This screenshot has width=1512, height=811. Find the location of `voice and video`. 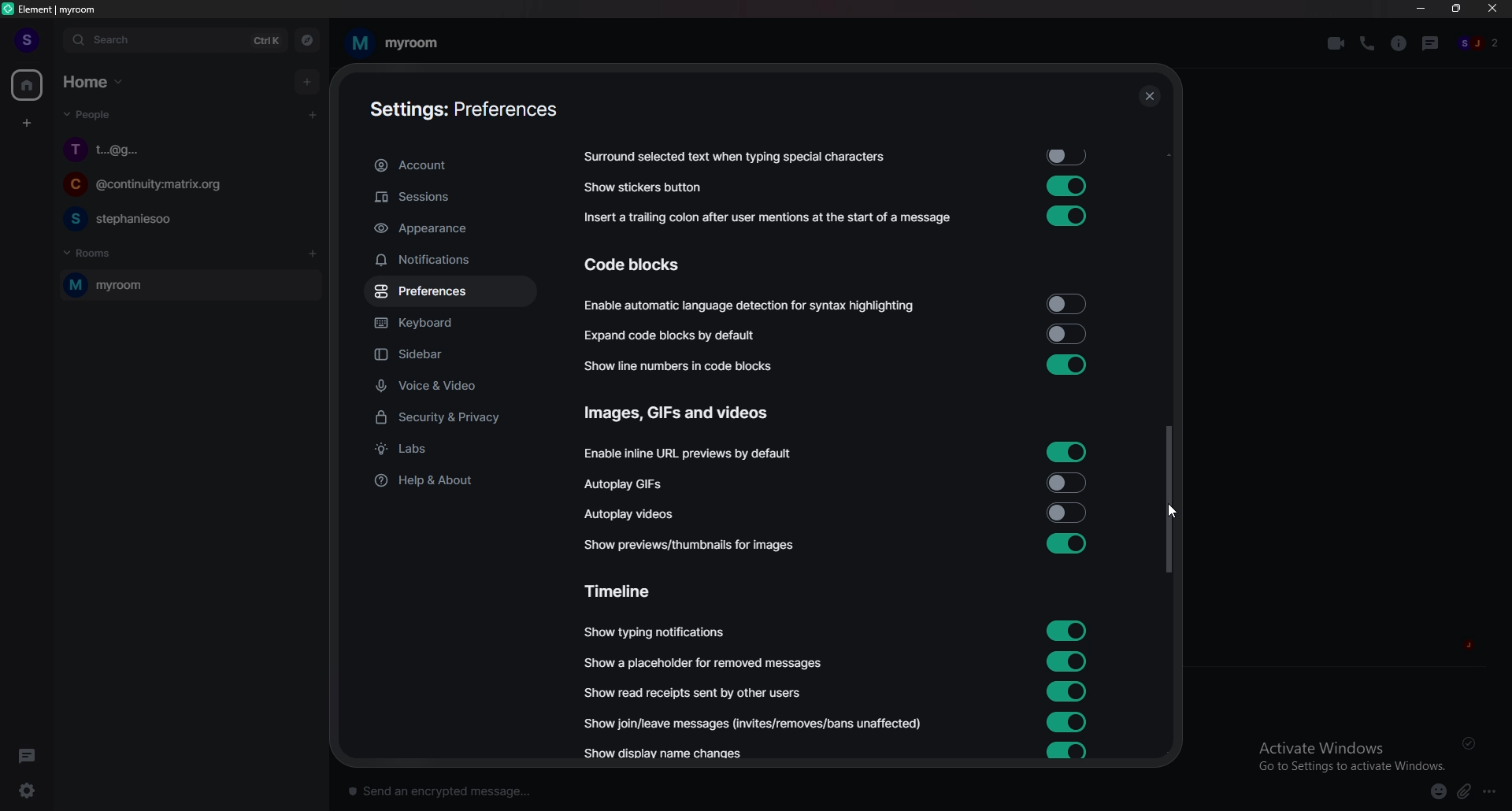

voice and video is located at coordinates (454, 385).